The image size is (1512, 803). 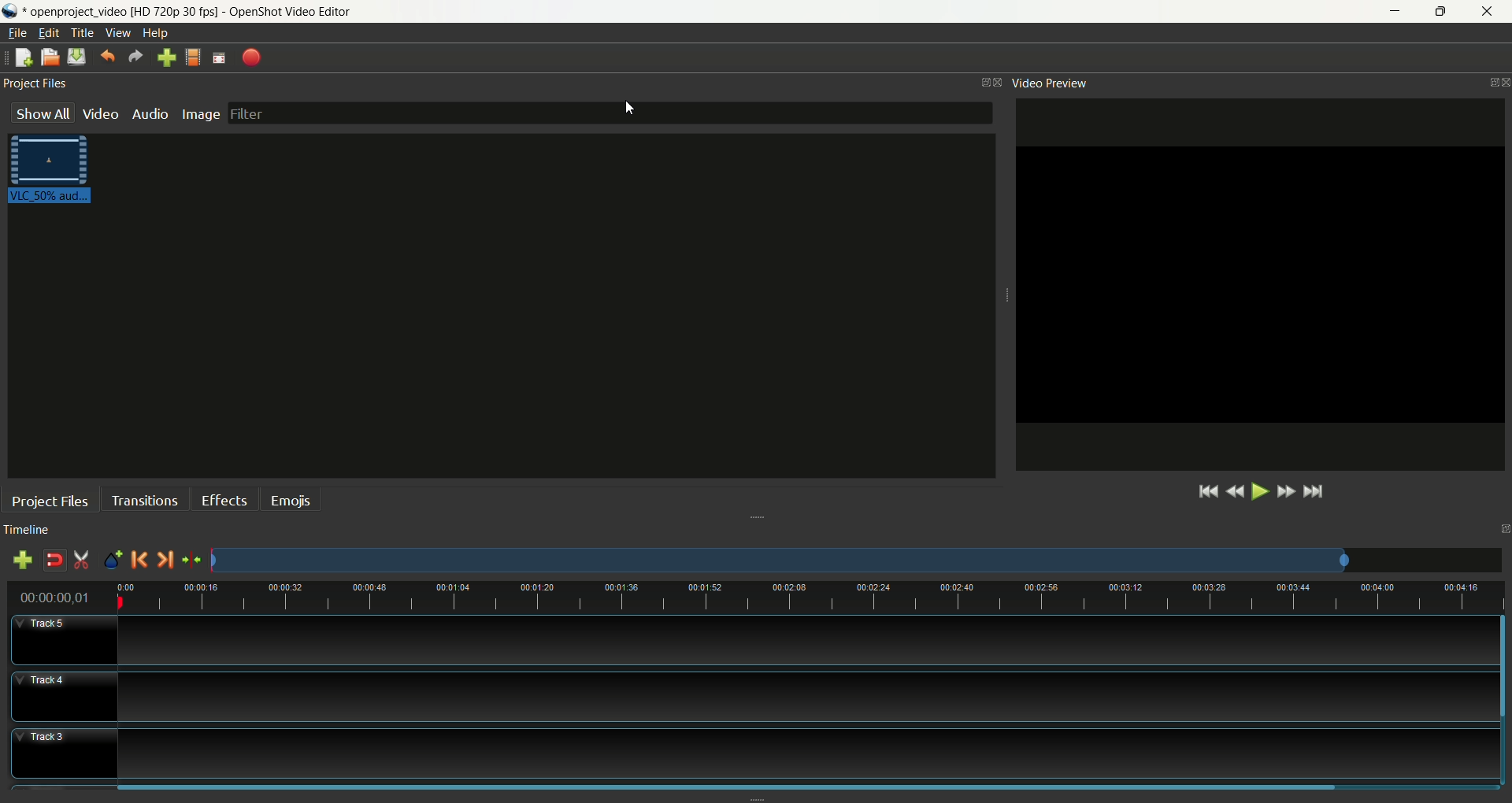 I want to click on track5, so click(x=64, y=642).